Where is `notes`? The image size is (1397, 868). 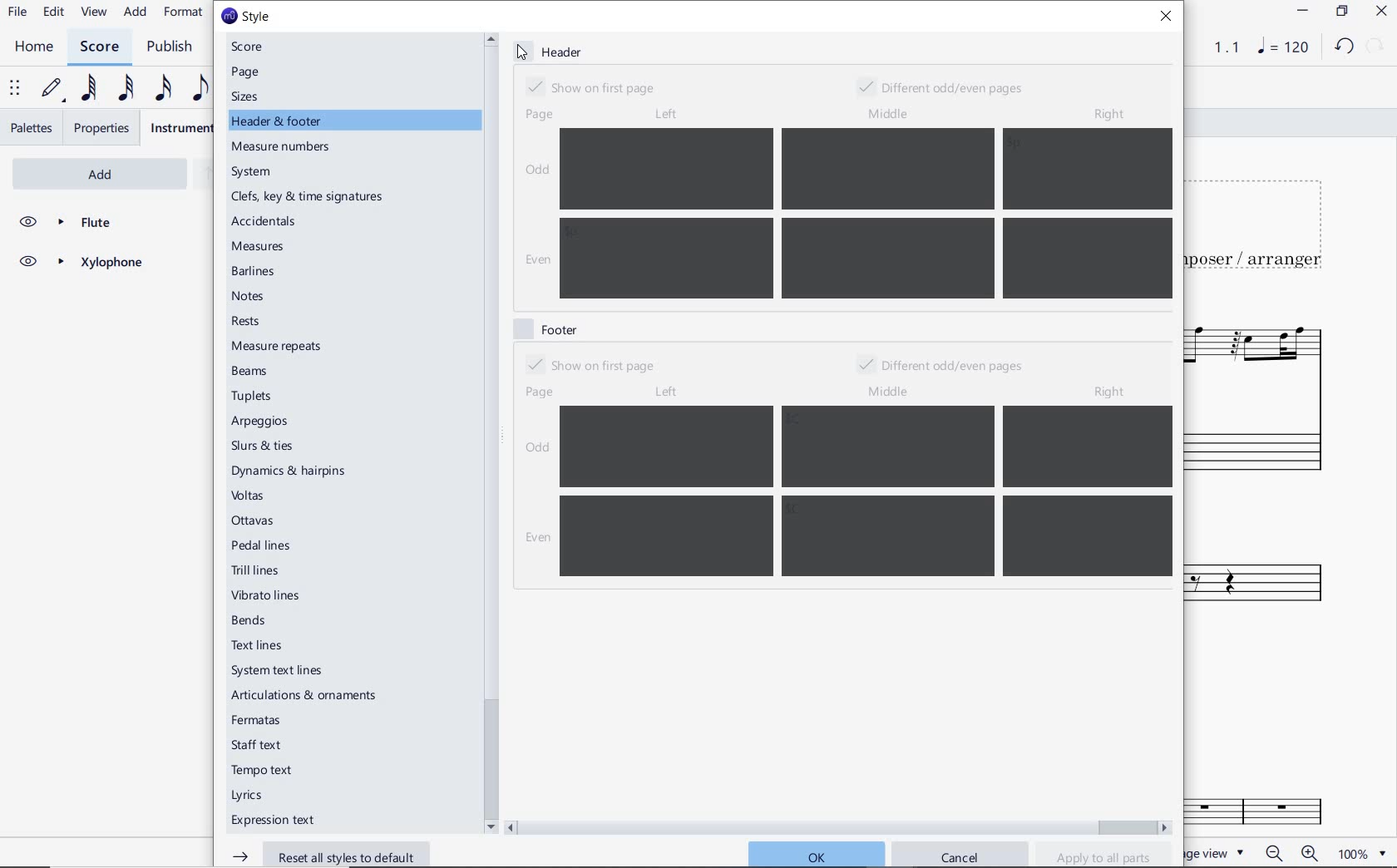
notes is located at coordinates (249, 296).